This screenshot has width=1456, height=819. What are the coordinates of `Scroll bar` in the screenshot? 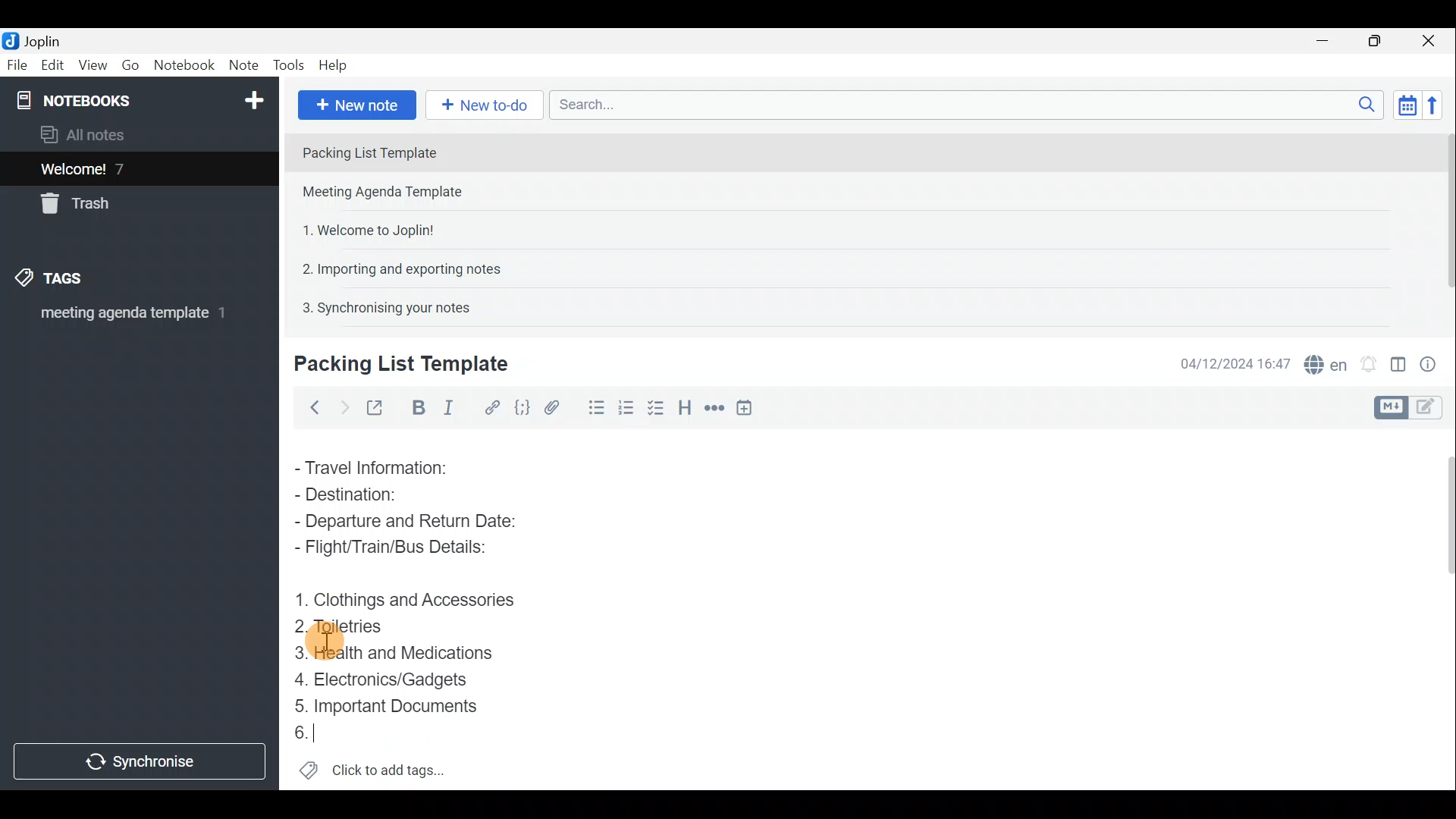 It's located at (1442, 607).